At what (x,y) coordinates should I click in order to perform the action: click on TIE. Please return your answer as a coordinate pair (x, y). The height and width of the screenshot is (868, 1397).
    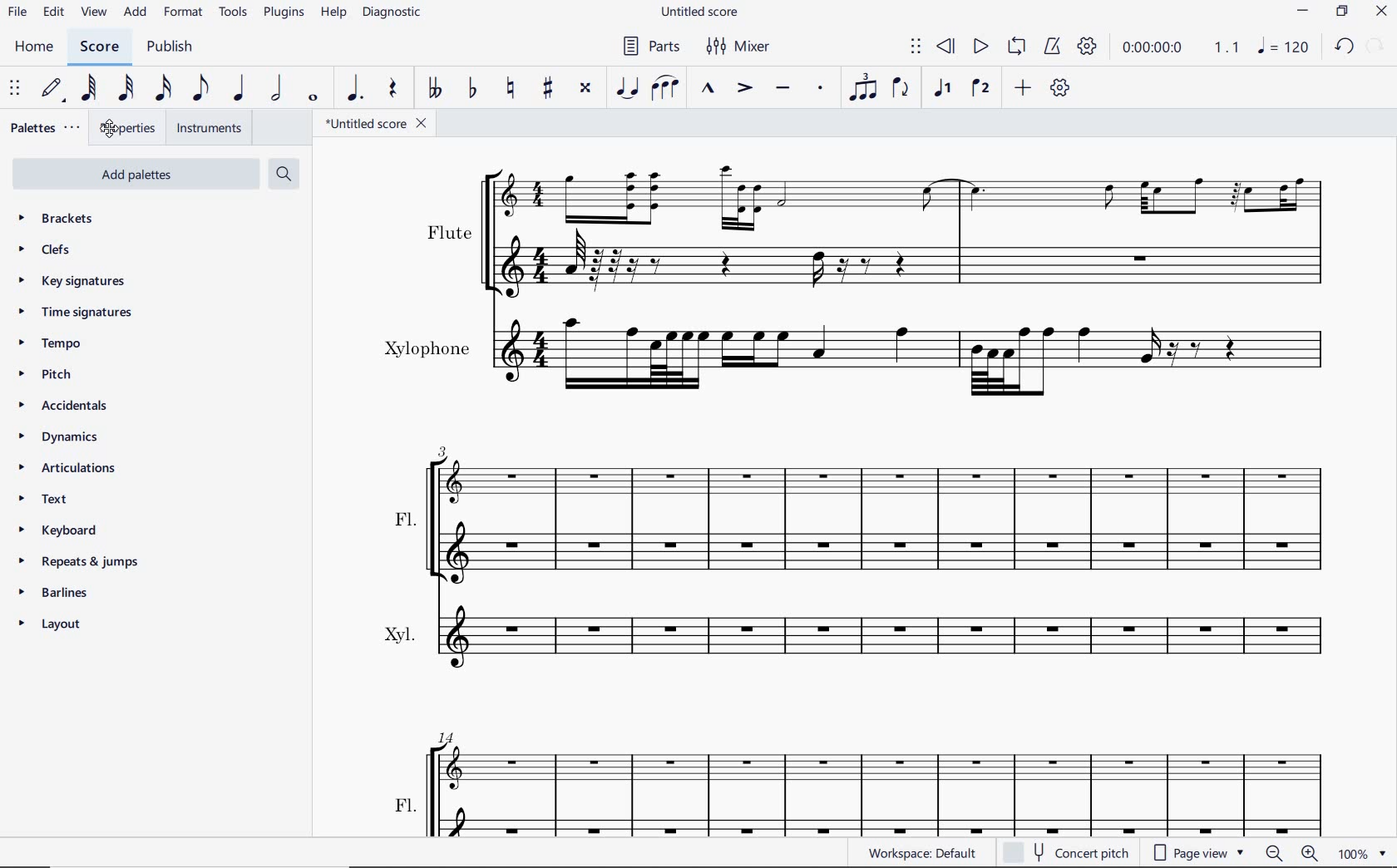
    Looking at the image, I should click on (628, 88).